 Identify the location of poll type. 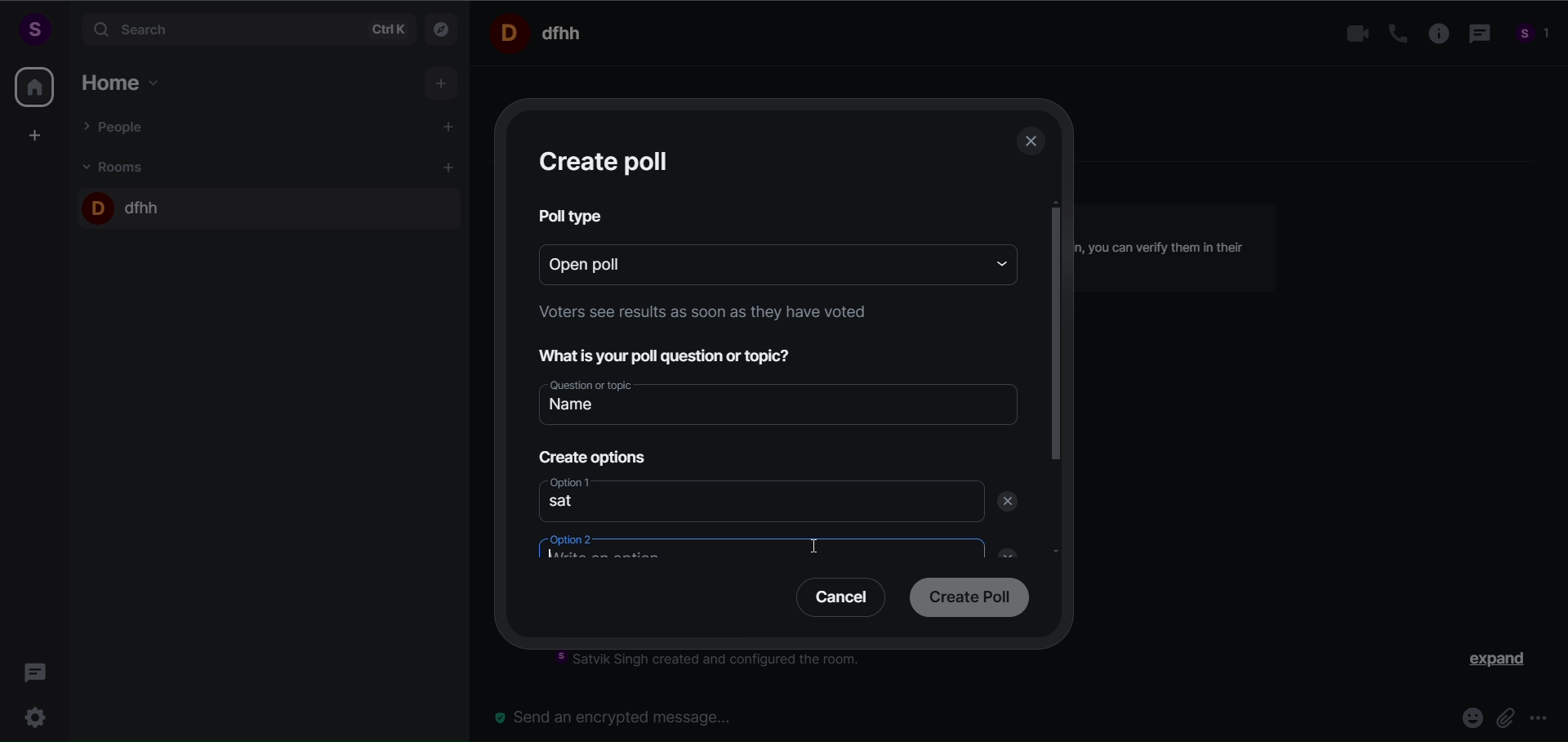
(573, 216).